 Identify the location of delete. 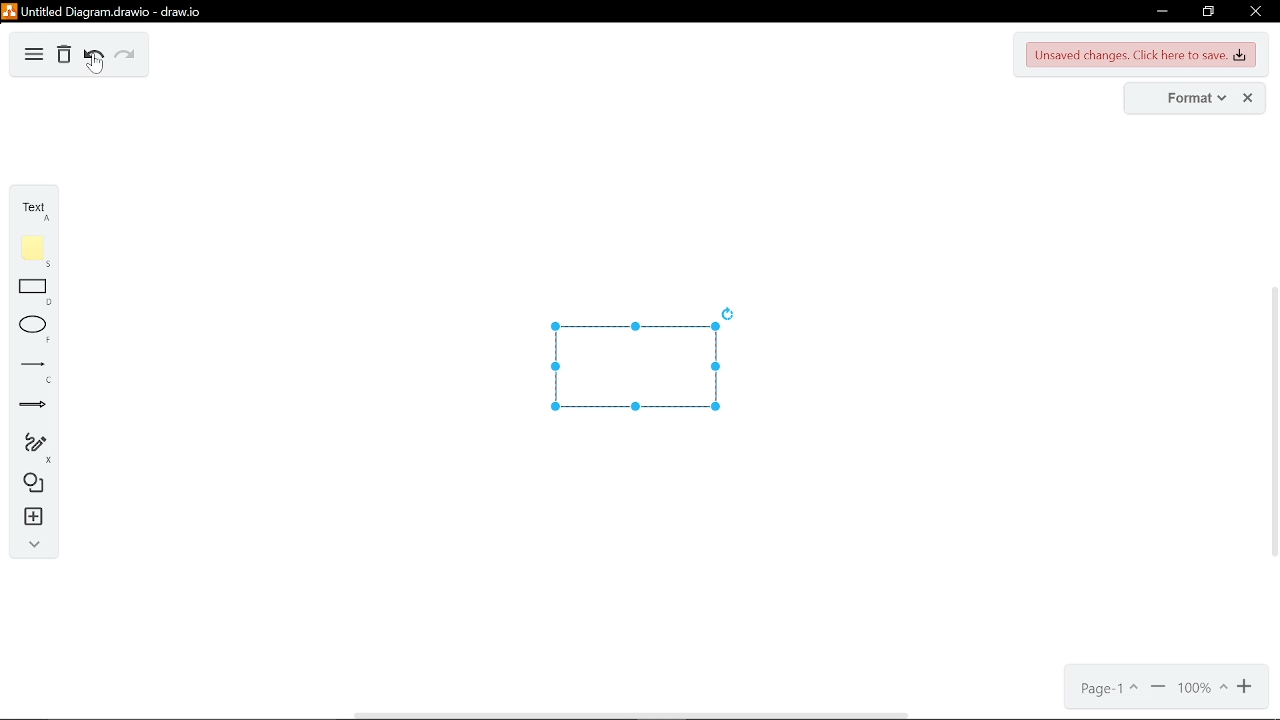
(64, 55).